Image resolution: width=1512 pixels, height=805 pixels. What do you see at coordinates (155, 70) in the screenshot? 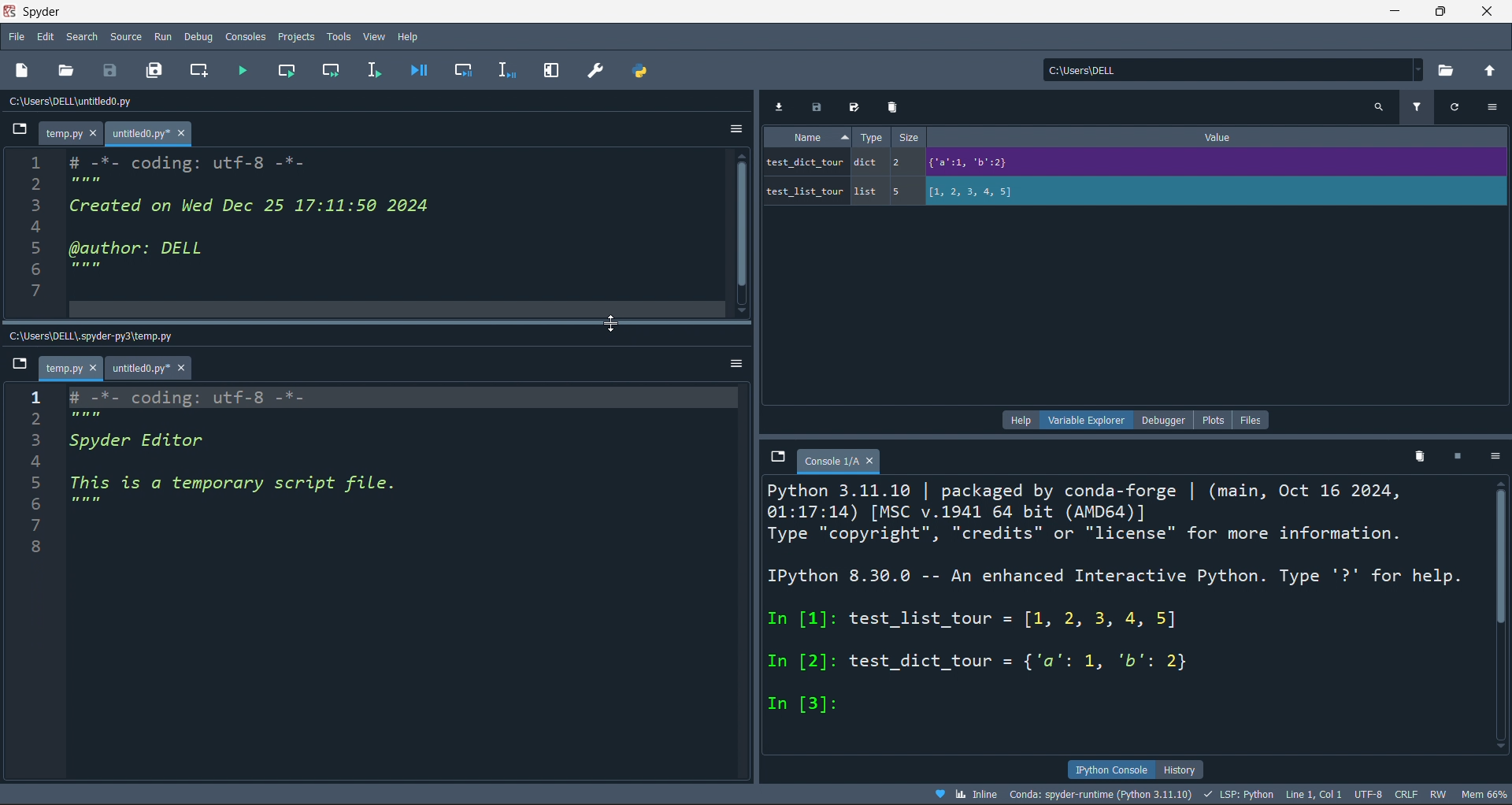
I see `save all files` at bounding box center [155, 70].